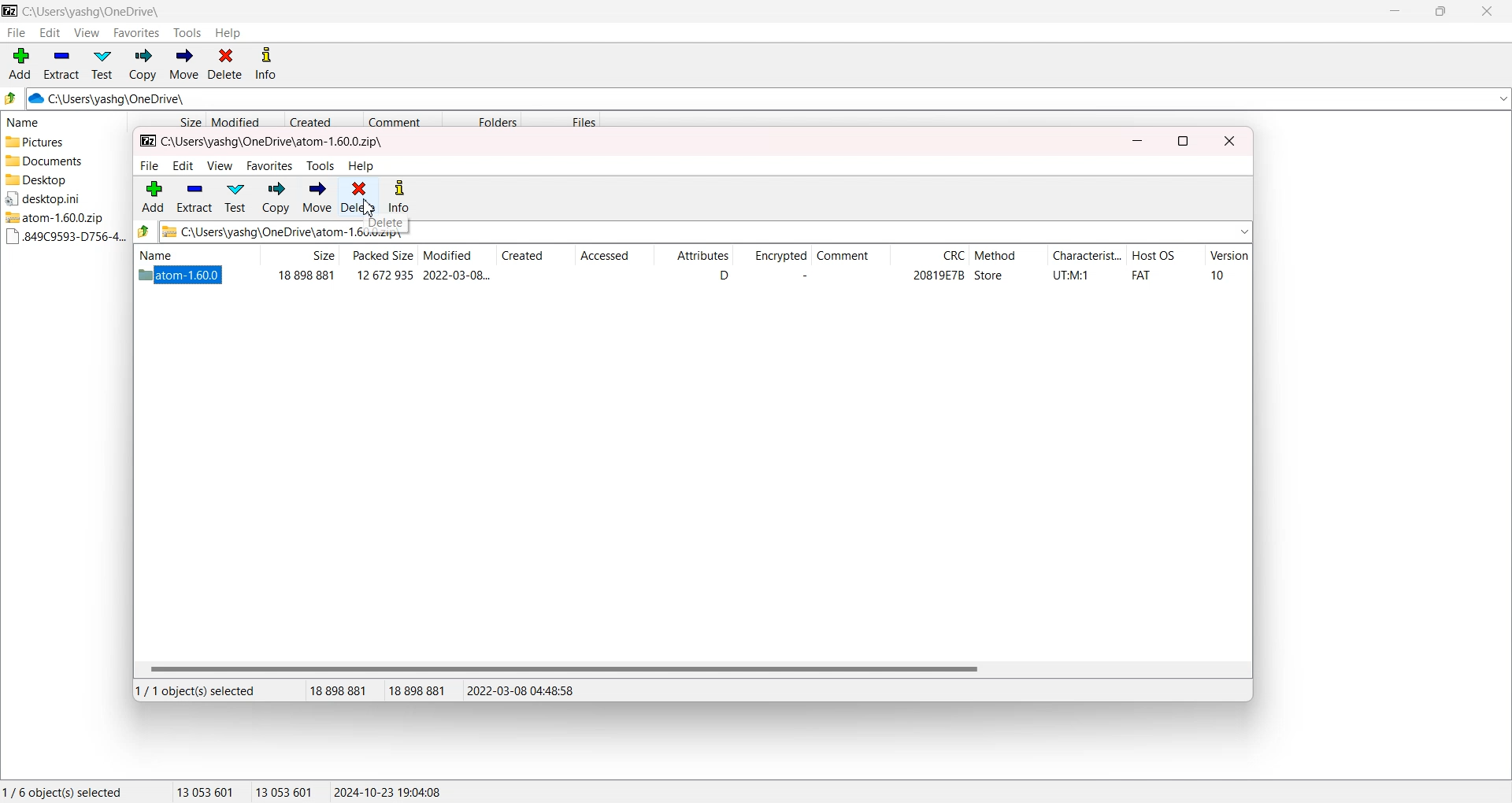 The image size is (1512, 803). I want to click on delete, so click(385, 224).